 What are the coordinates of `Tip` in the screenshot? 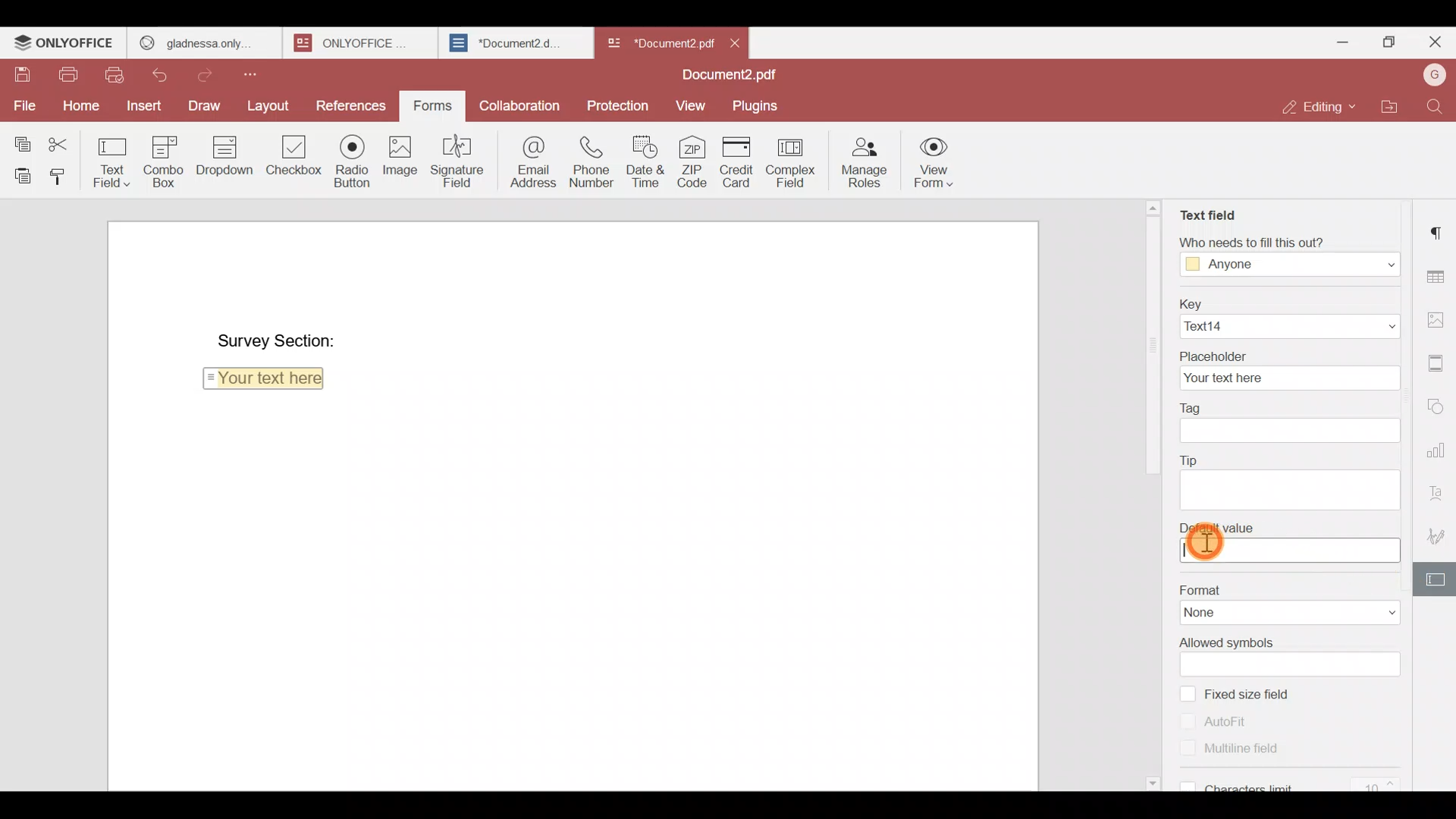 It's located at (1288, 460).